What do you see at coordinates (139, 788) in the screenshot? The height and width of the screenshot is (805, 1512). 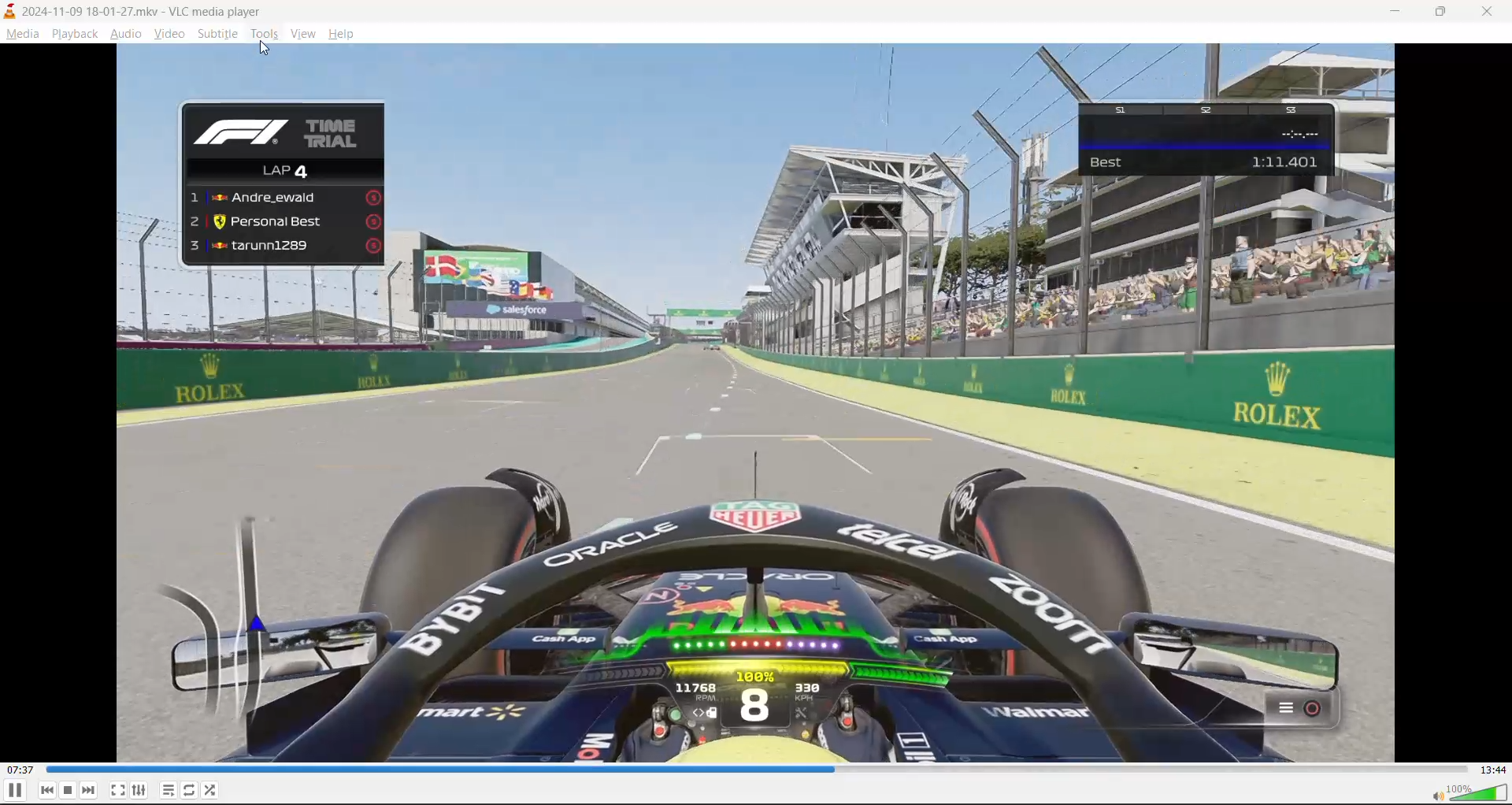 I see `settings` at bounding box center [139, 788].